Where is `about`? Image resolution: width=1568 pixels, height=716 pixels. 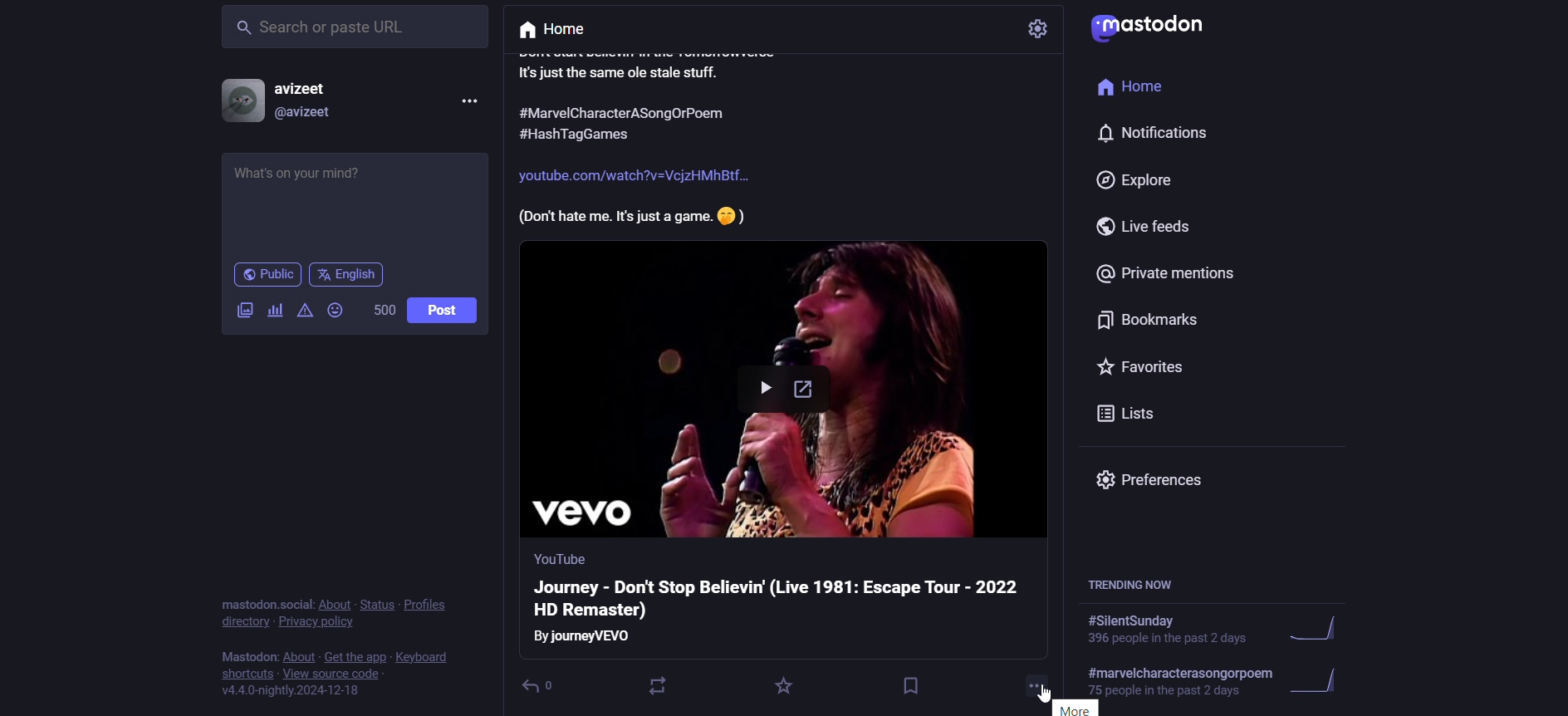
about is located at coordinates (333, 606).